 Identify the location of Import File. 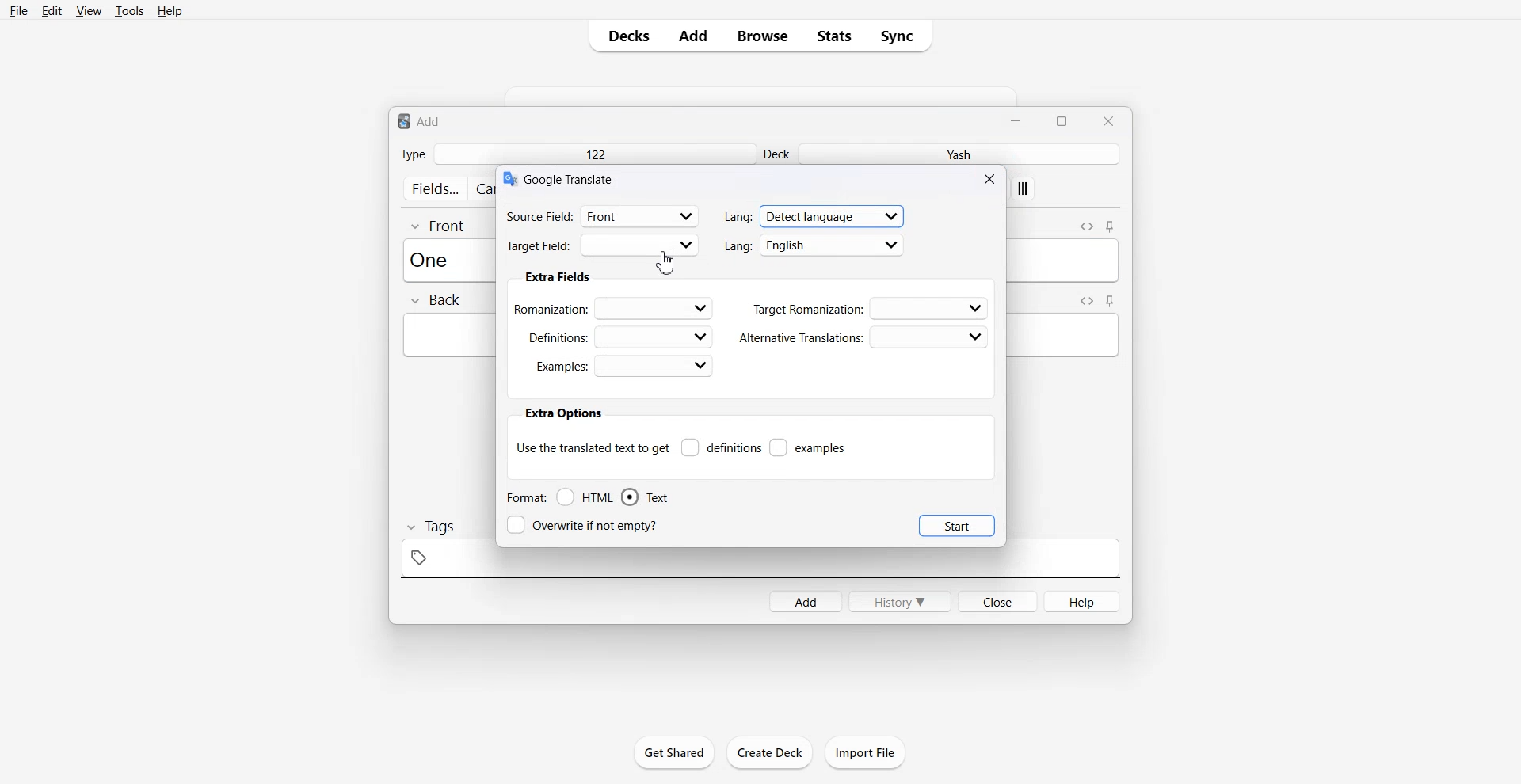
(866, 752).